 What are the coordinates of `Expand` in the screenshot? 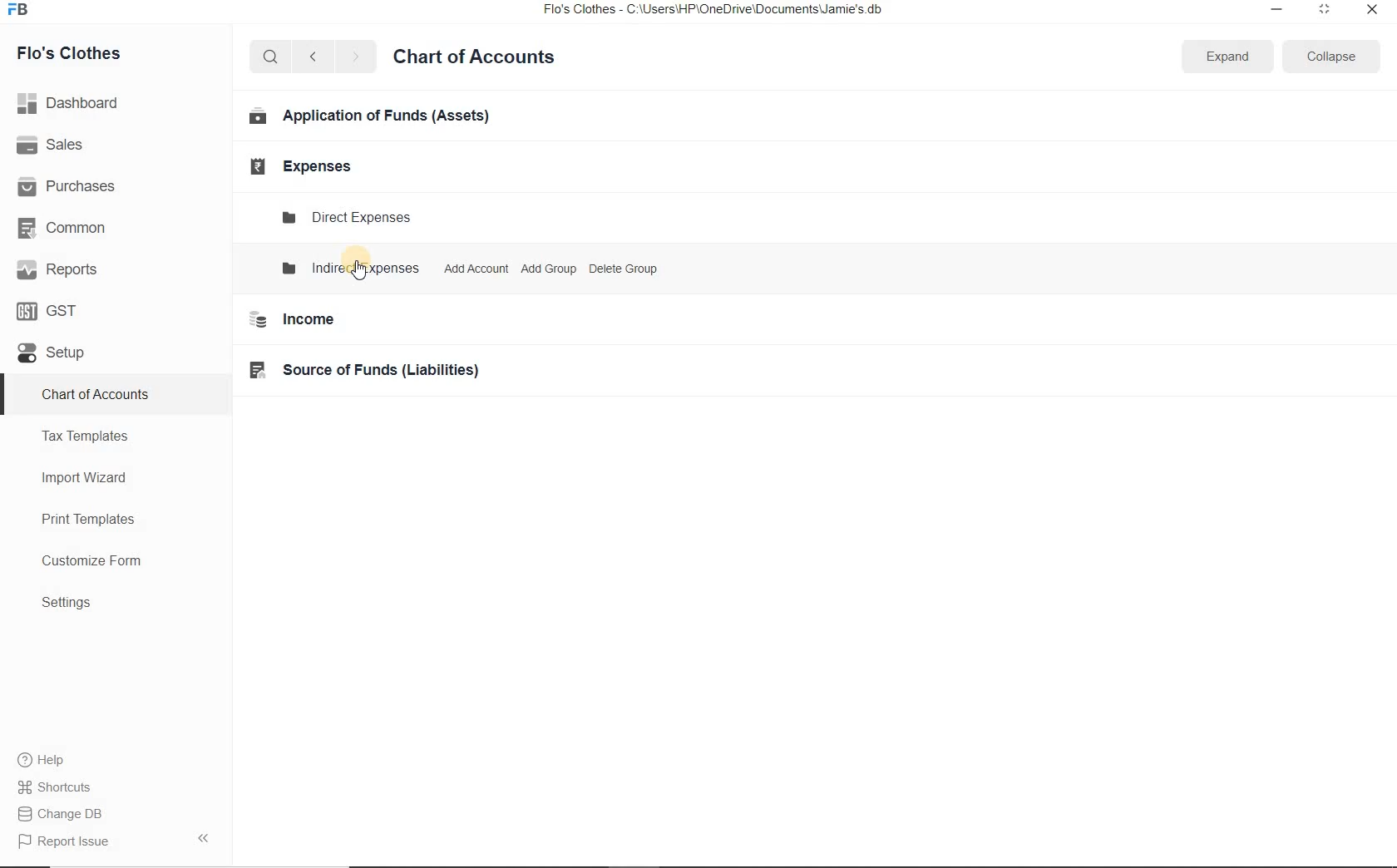 It's located at (1228, 56).